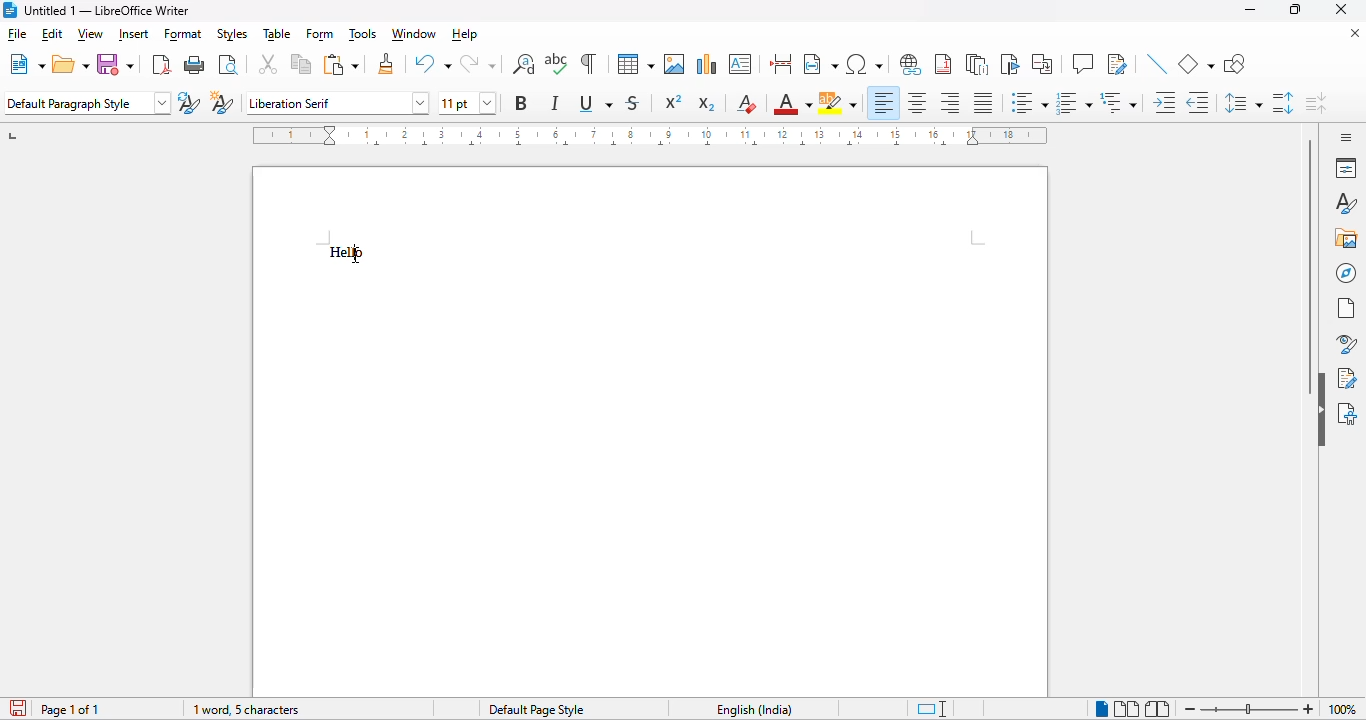 Image resolution: width=1366 pixels, height=720 pixels. Describe the element at coordinates (536, 710) in the screenshot. I see `Default page style` at that location.